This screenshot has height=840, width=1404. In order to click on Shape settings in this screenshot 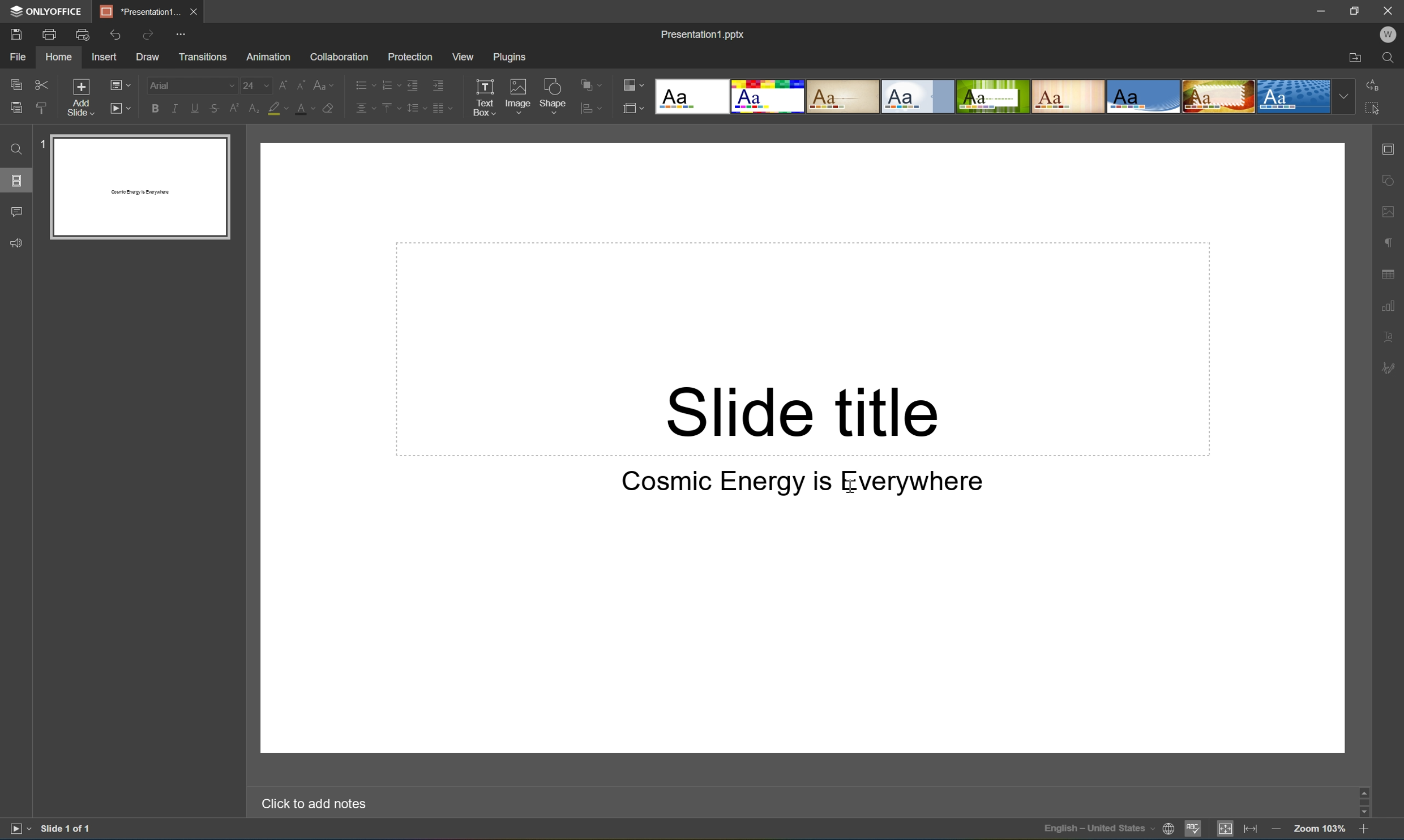, I will do `click(1391, 181)`.